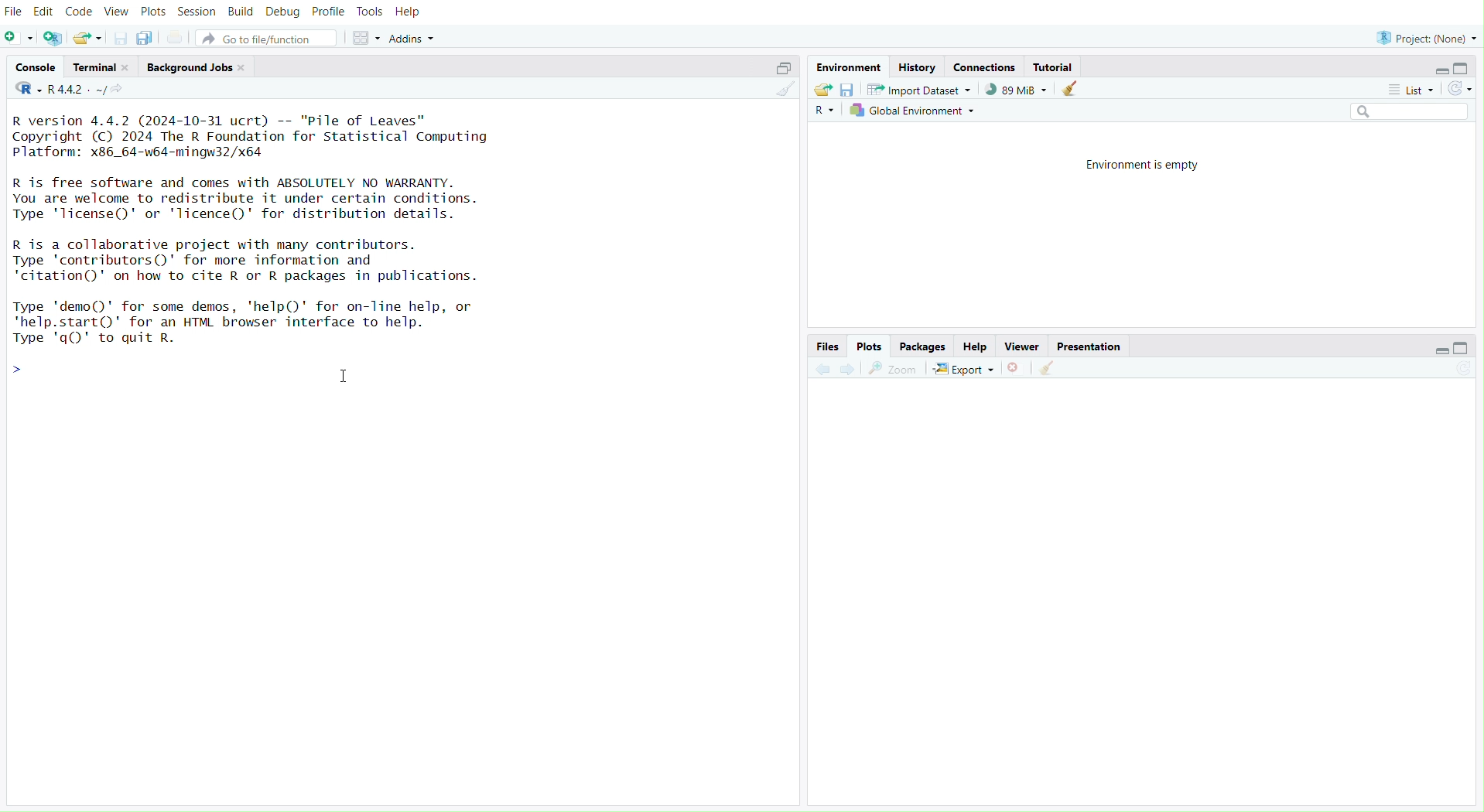 The height and width of the screenshot is (812, 1484). What do you see at coordinates (15, 12) in the screenshot?
I see `File` at bounding box center [15, 12].